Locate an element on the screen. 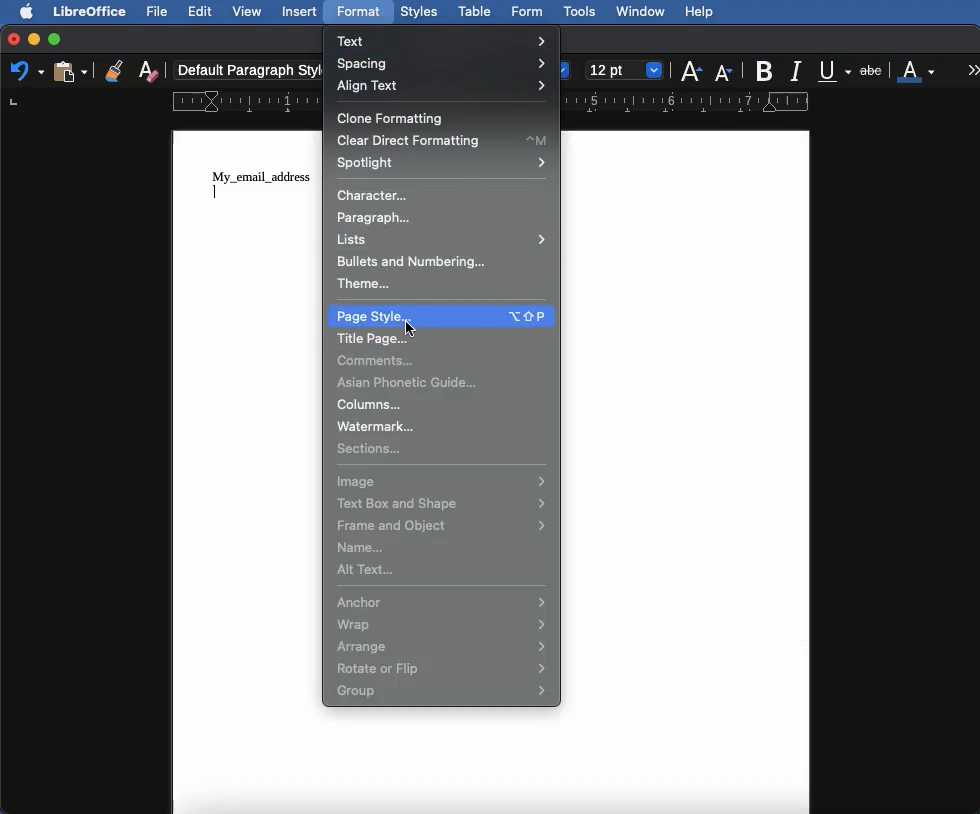  Character is located at coordinates (380, 196).